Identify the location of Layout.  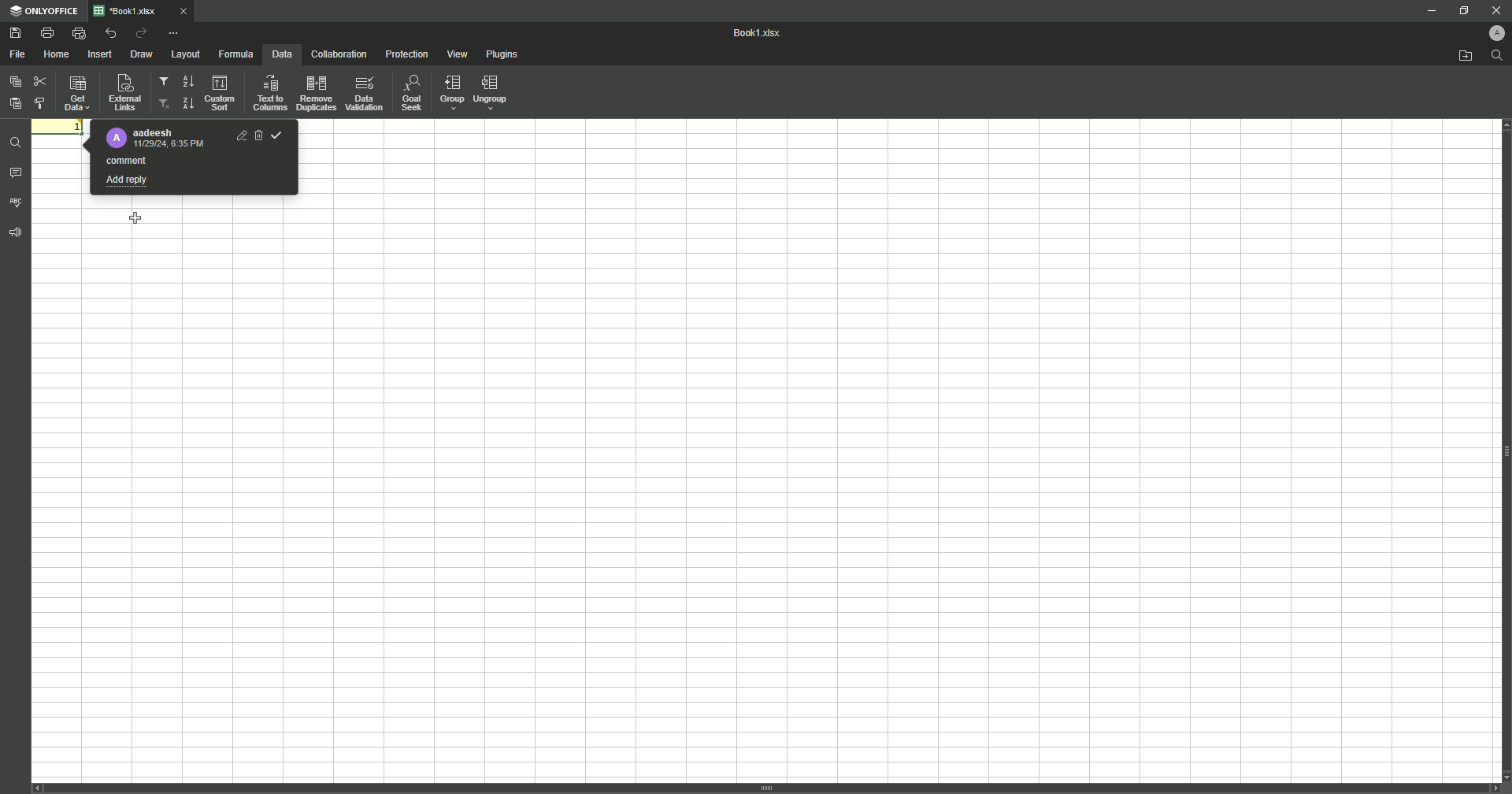
(185, 54).